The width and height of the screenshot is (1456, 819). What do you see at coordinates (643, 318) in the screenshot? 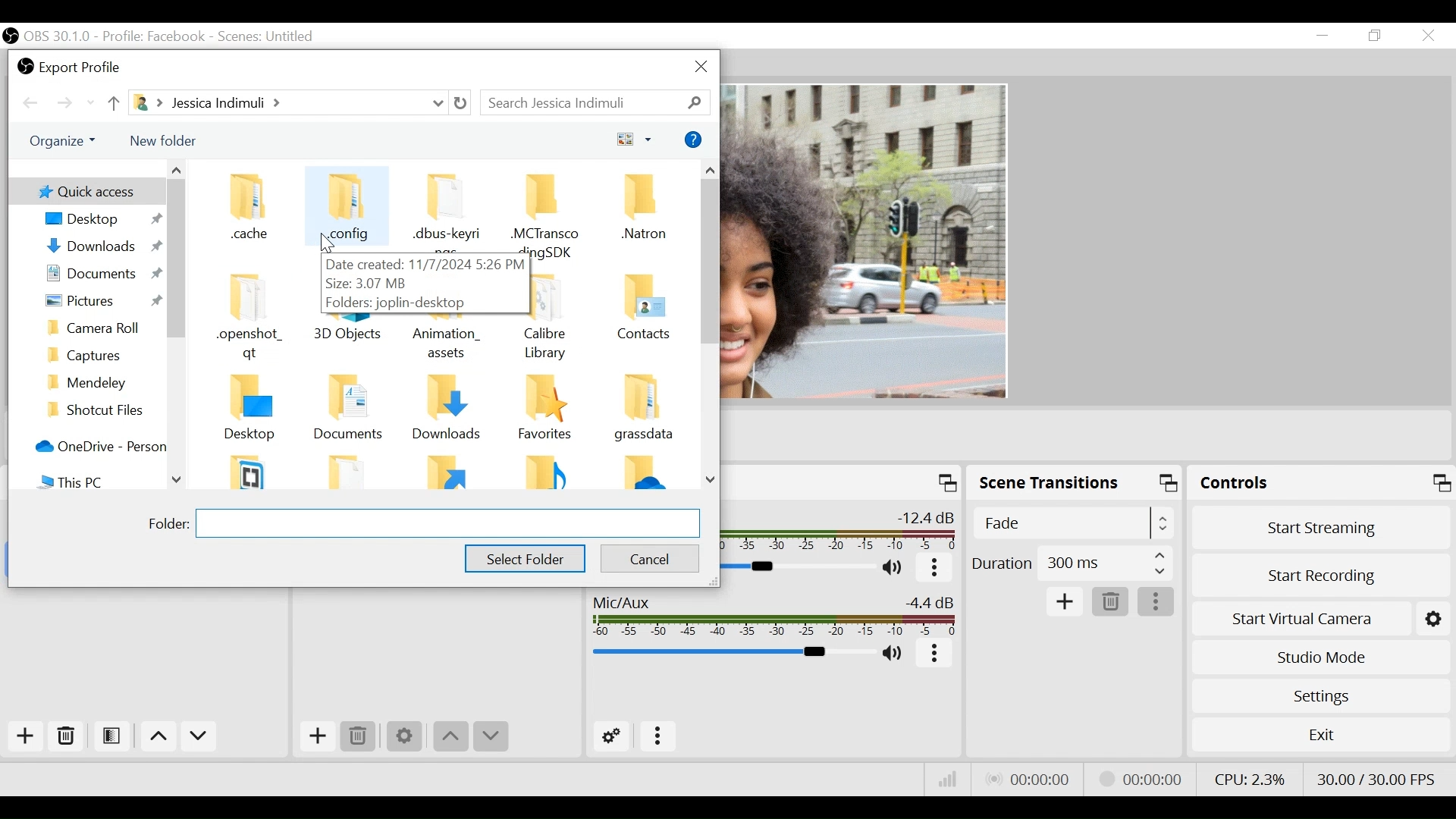
I see `Folder` at bounding box center [643, 318].